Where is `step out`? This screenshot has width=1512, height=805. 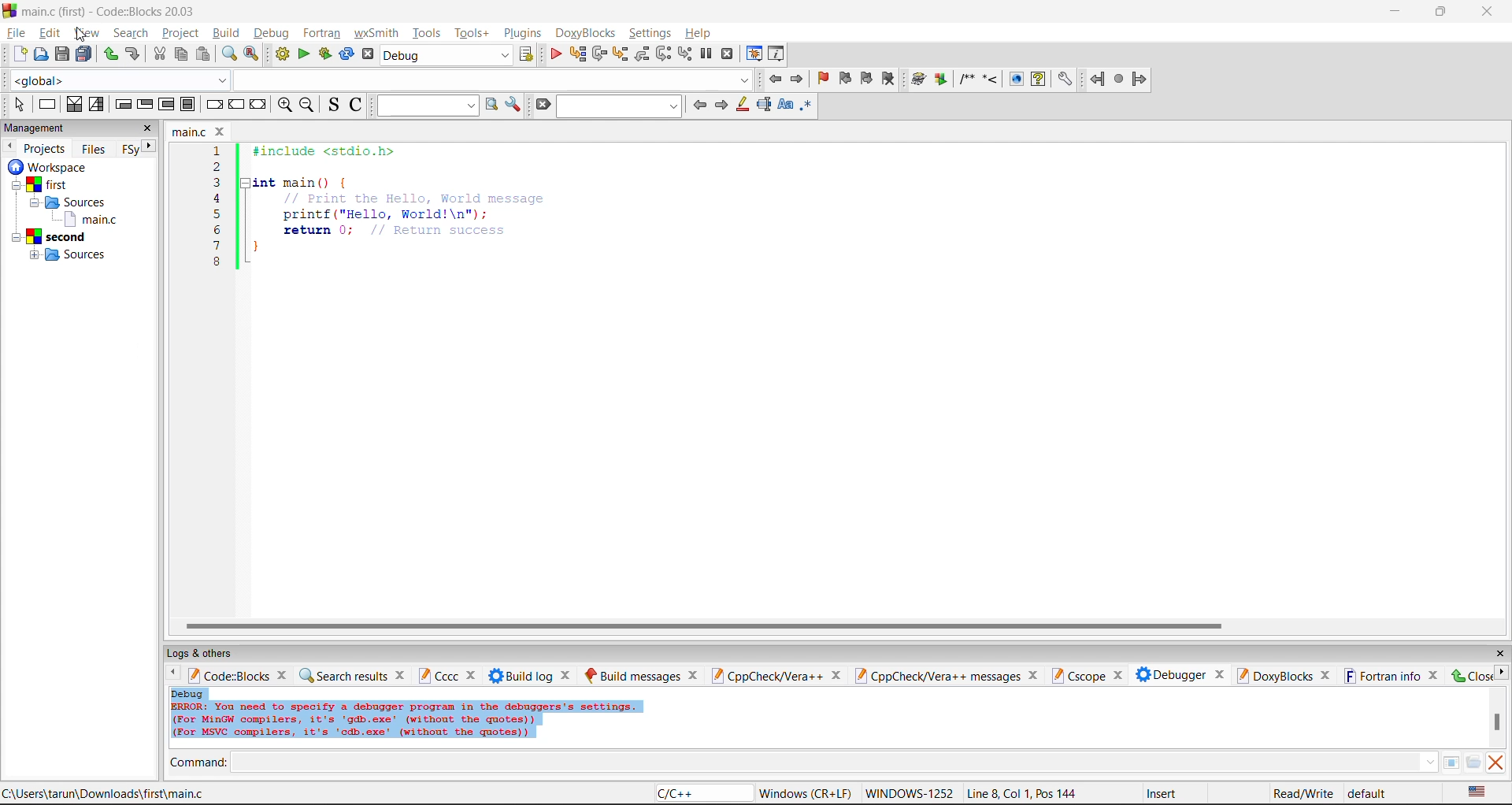 step out is located at coordinates (643, 54).